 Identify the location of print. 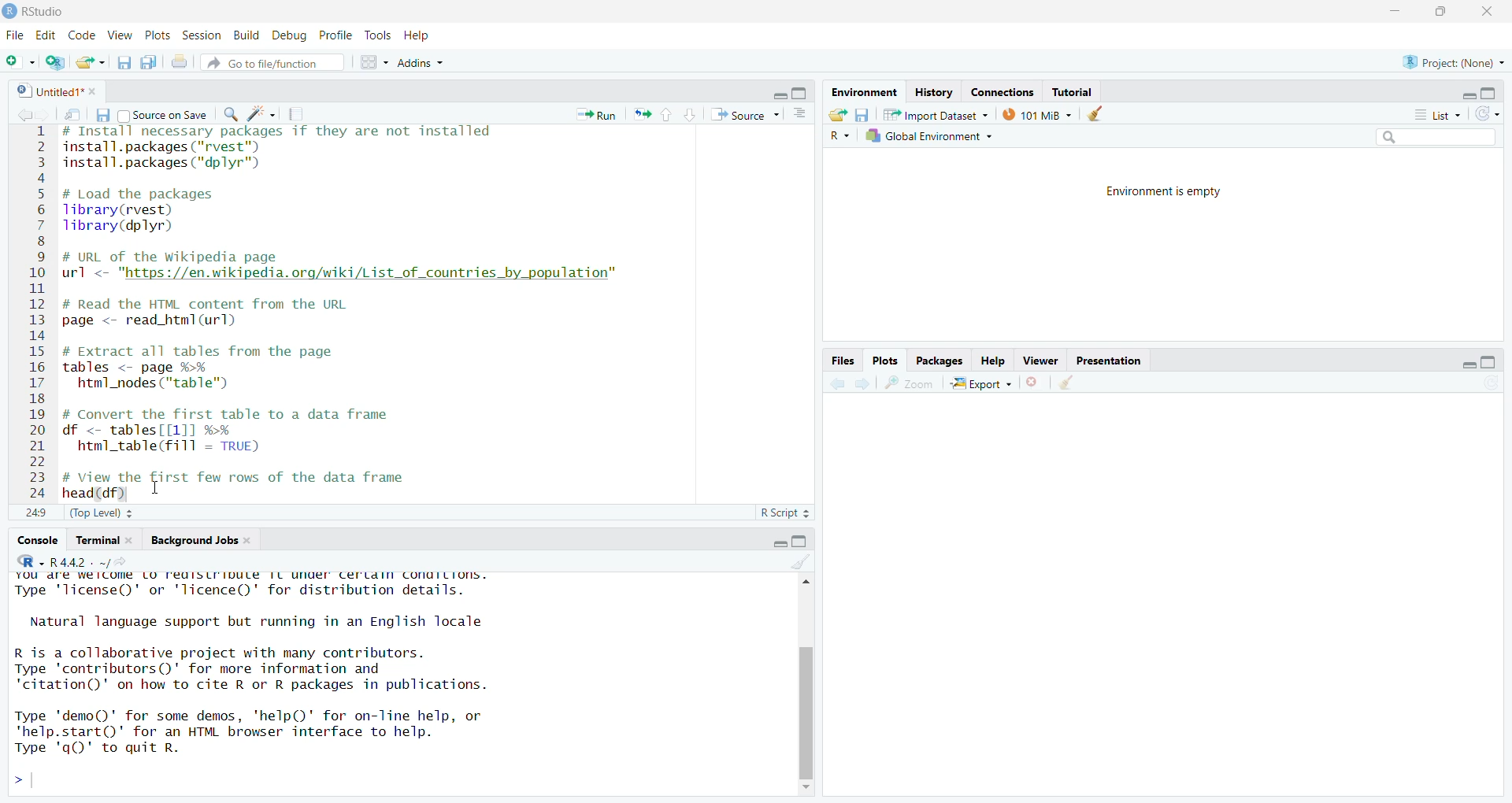
(179, 61).